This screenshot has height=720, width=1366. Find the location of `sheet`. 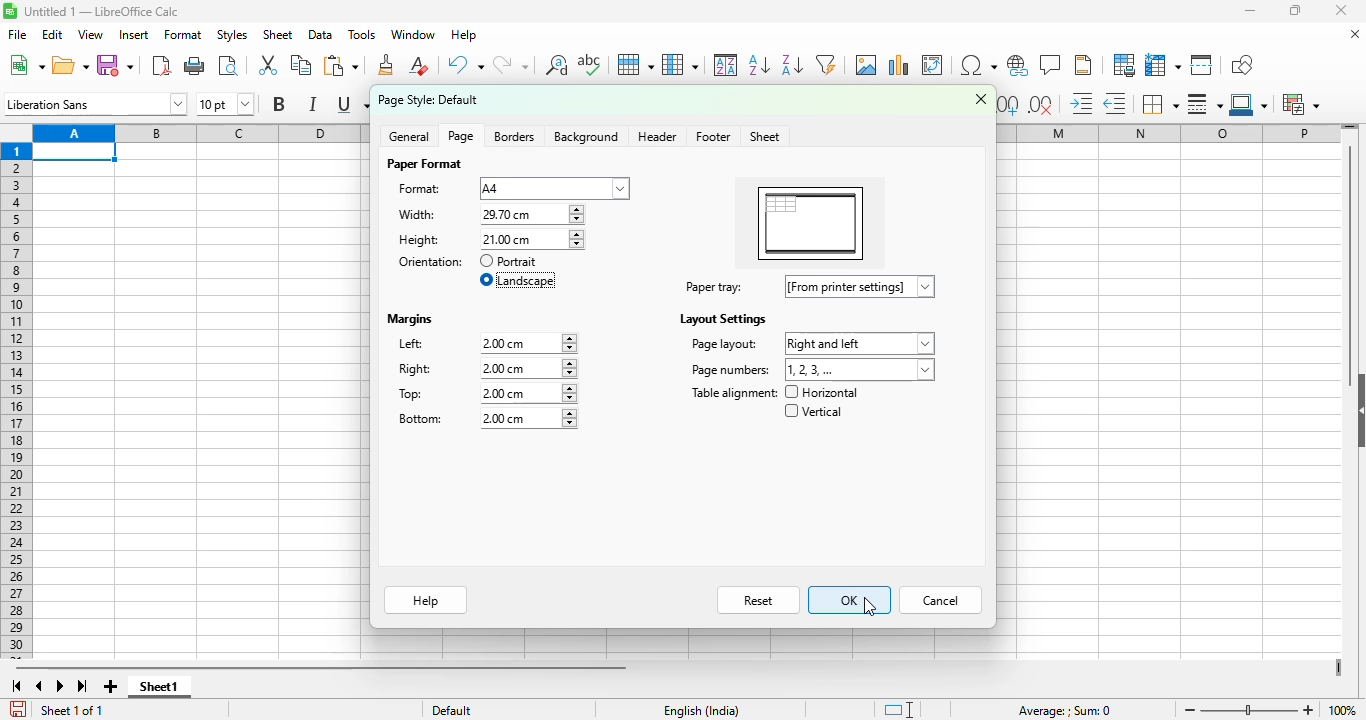

sheet is located at coordinates (766, 137).